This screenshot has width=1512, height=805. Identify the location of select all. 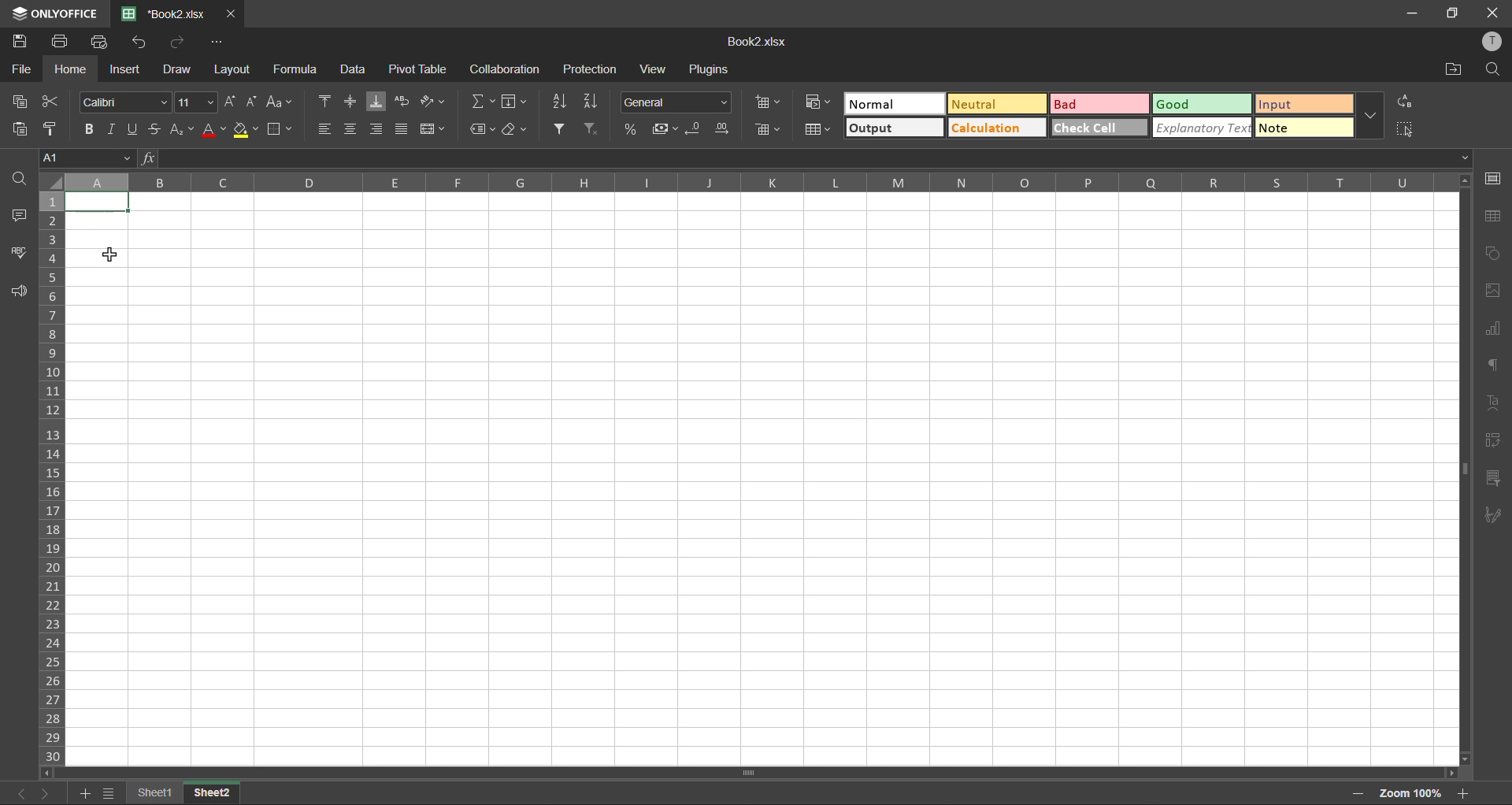
(1406, 129).